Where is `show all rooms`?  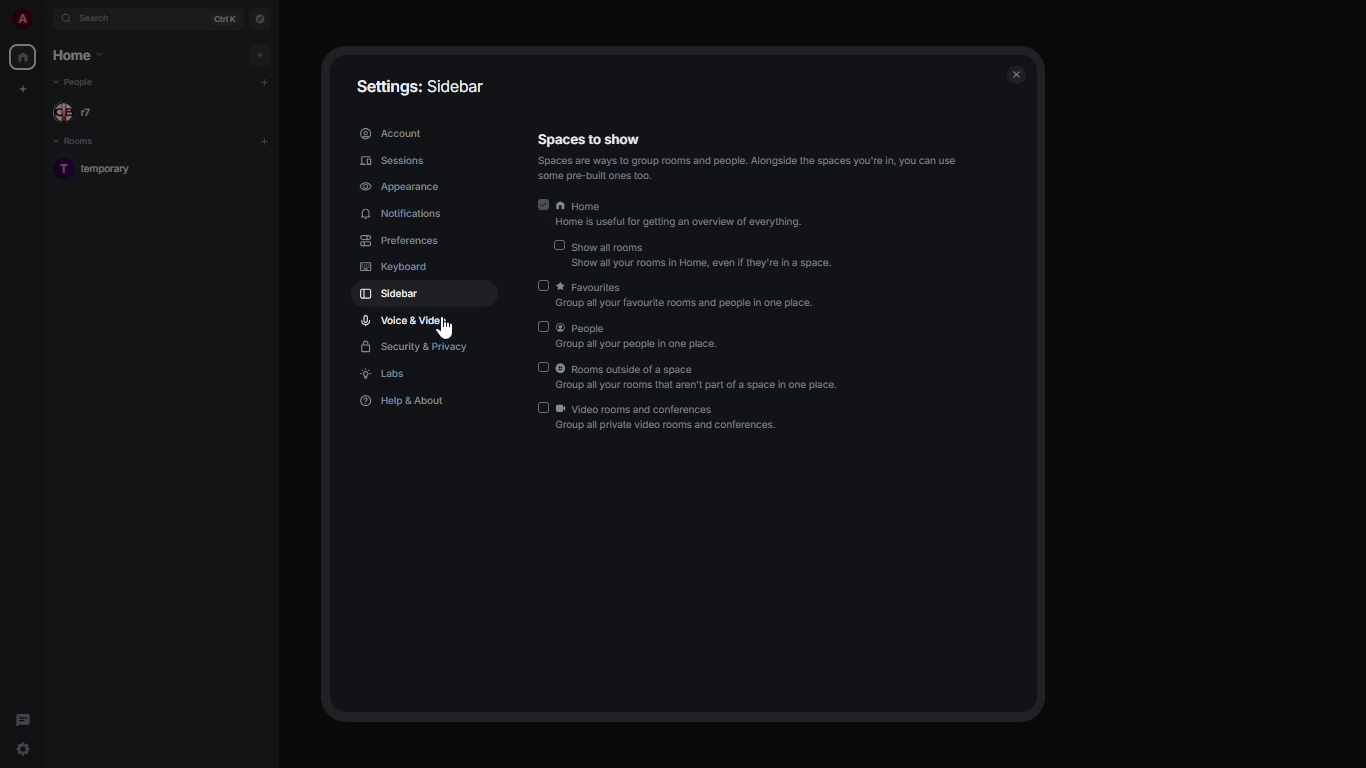 show all rooms is located at coordinates (708, 257).